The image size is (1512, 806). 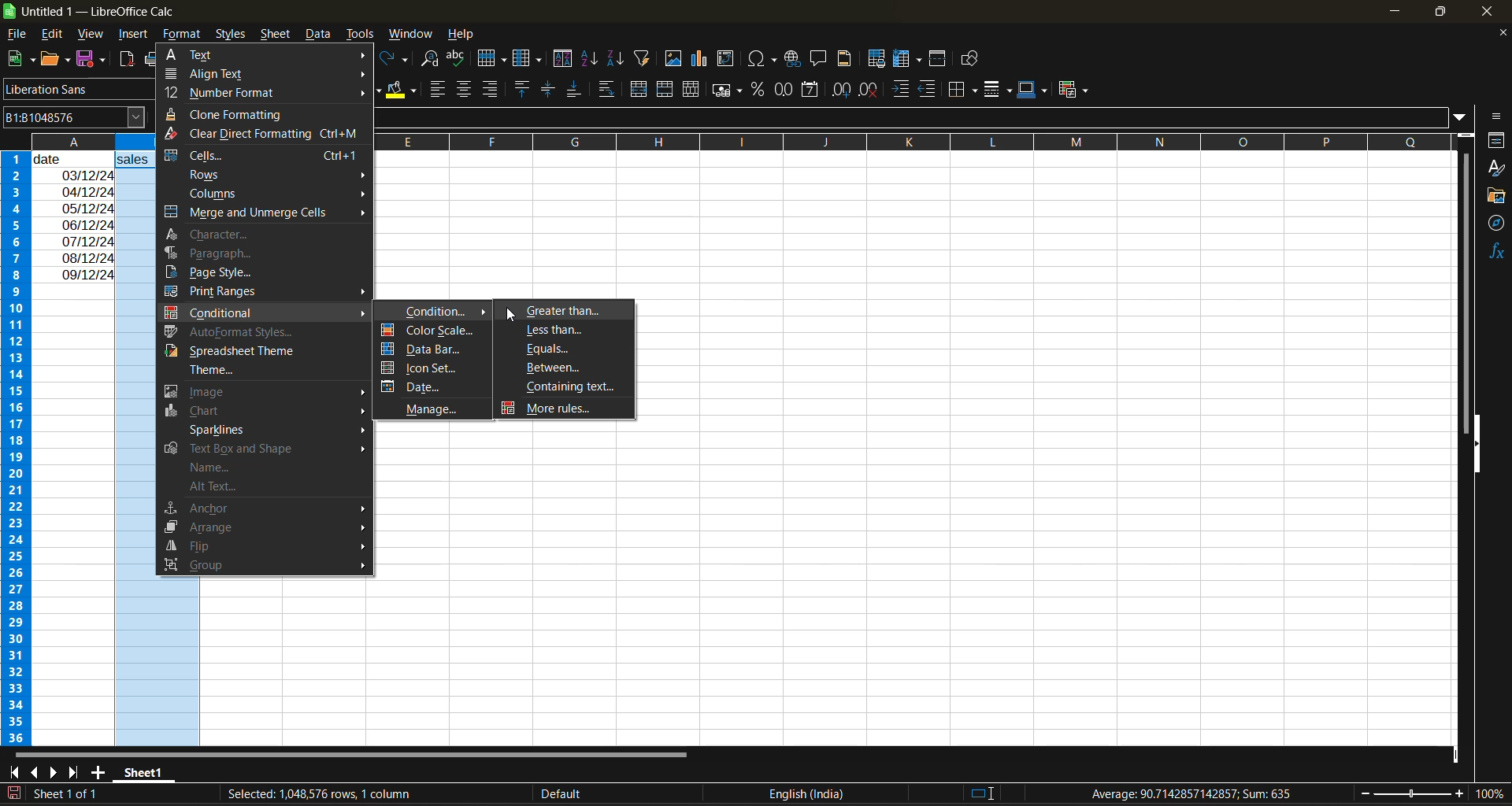 What do you see at coordinates (267, 292) in the screenshot?
I see `print ranges` at bounding box center [267, 292].